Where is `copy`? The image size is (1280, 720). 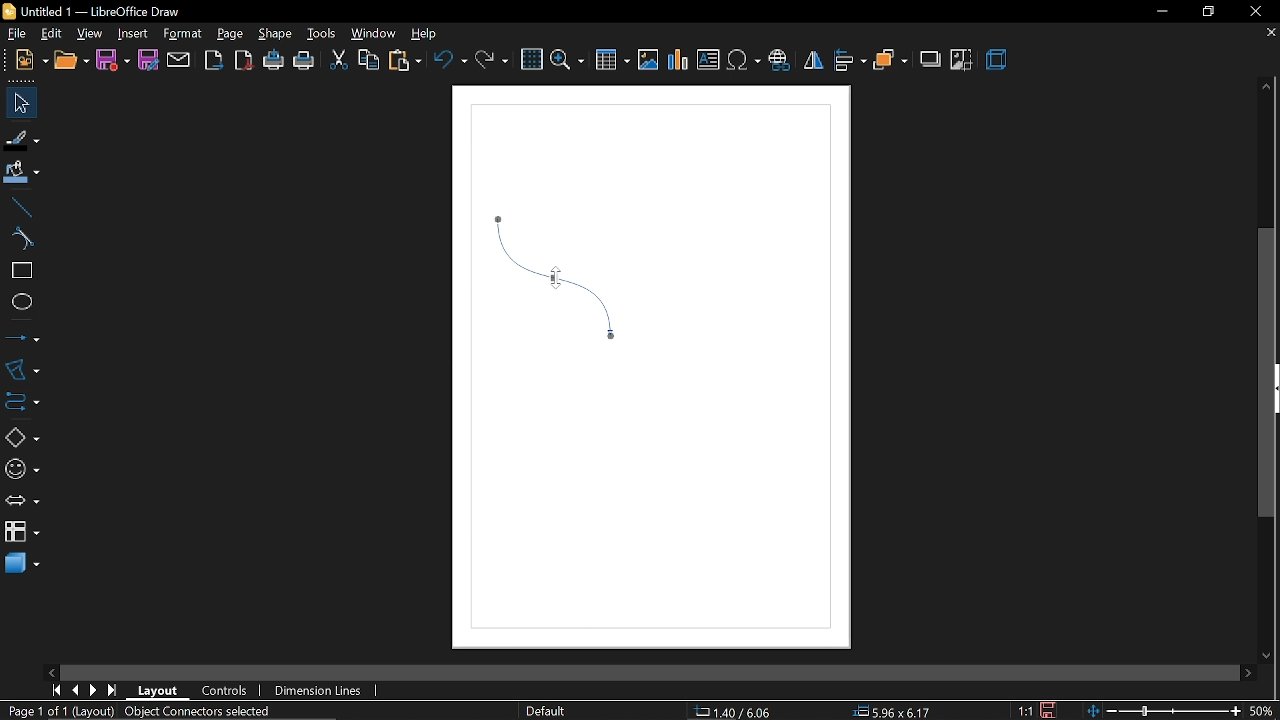 copy is located at coordinates (367, 62).